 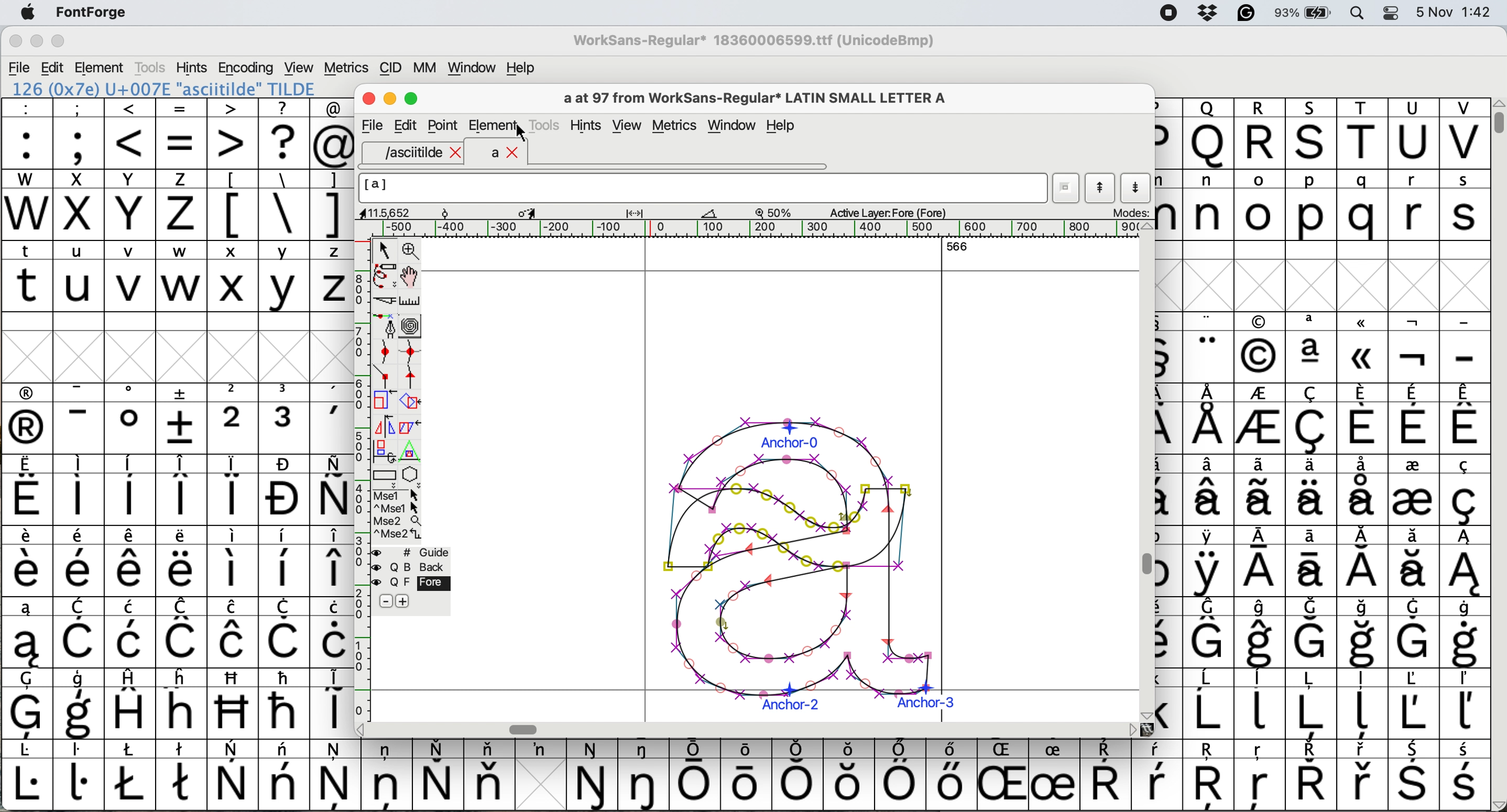 I want to click on symbol, so click(x=285, y=632).